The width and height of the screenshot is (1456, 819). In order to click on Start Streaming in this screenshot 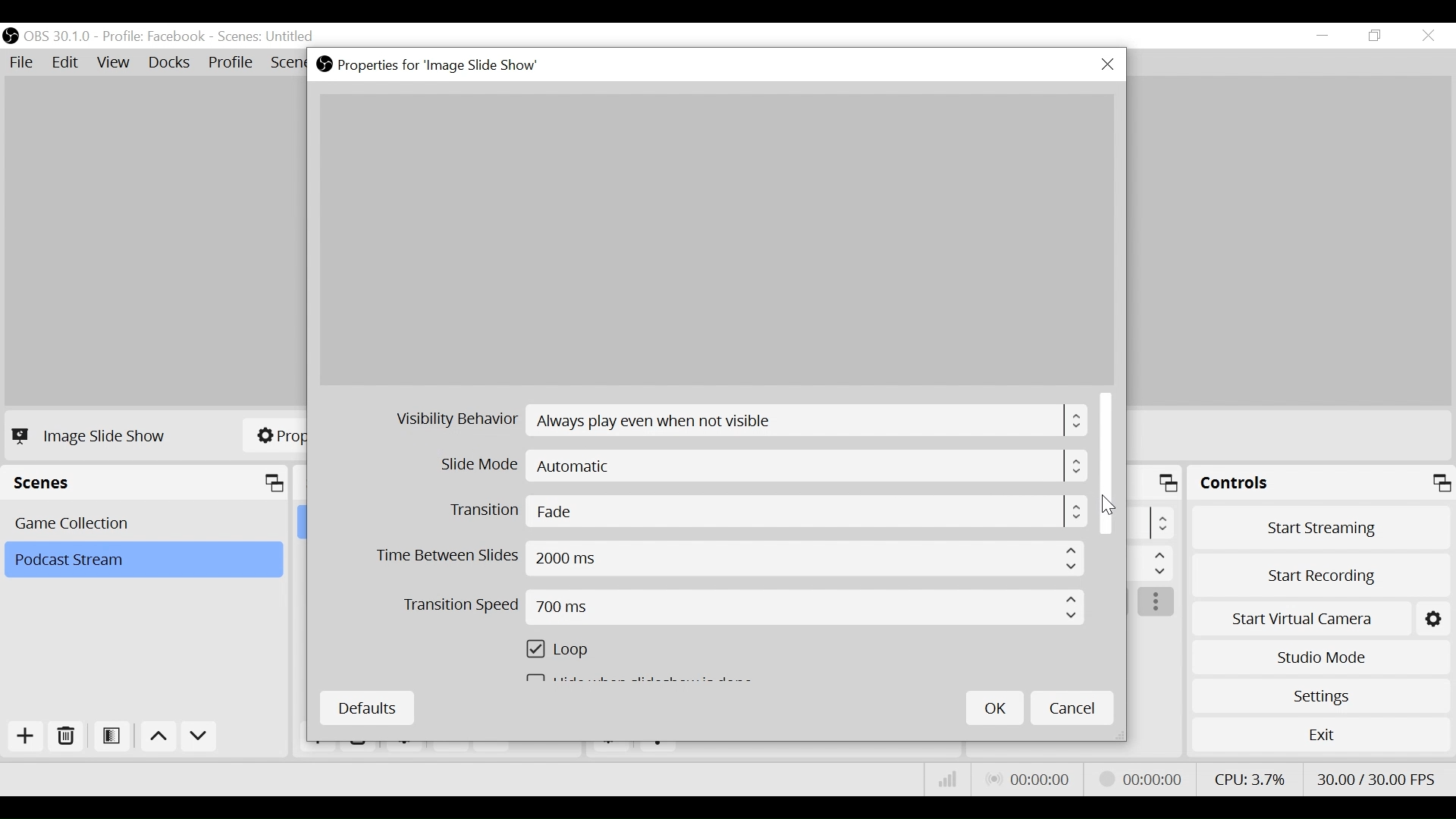, I will do `click(1322, 527)`.